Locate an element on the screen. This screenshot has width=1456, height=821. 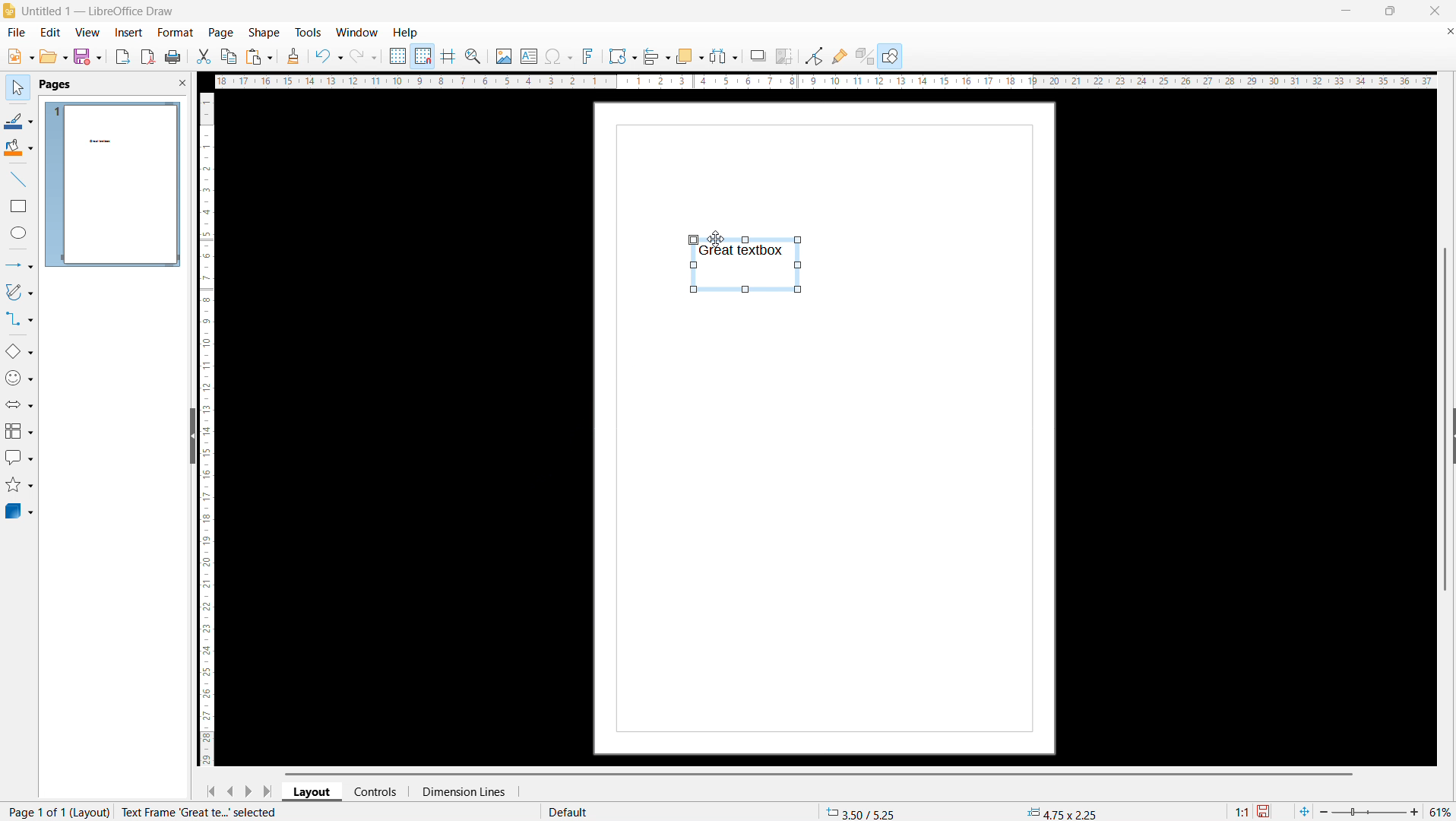
curves and polygons is located at coordinates (18, 293).